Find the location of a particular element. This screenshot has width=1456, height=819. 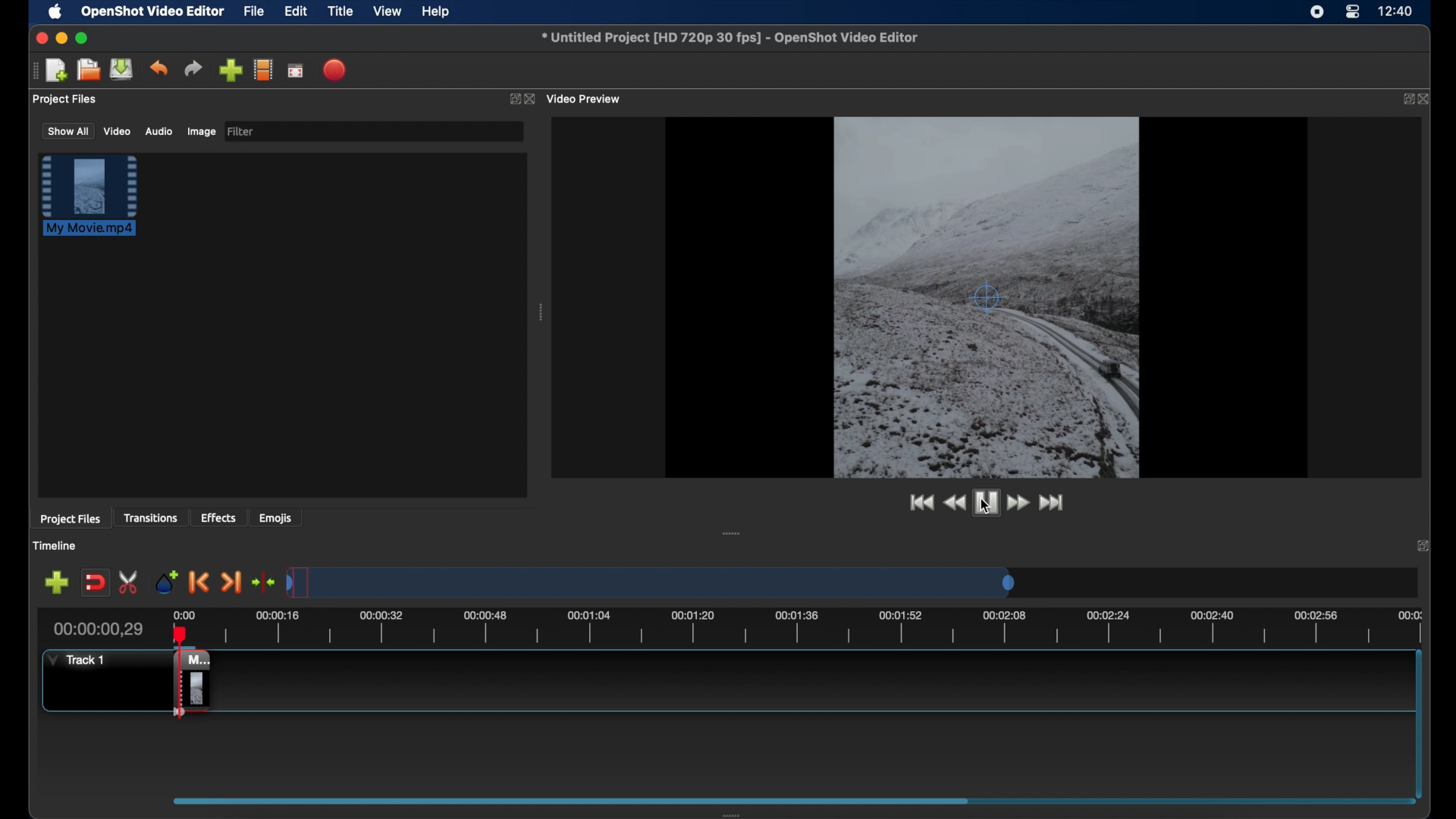

import files is located at coordinates (231, 71).